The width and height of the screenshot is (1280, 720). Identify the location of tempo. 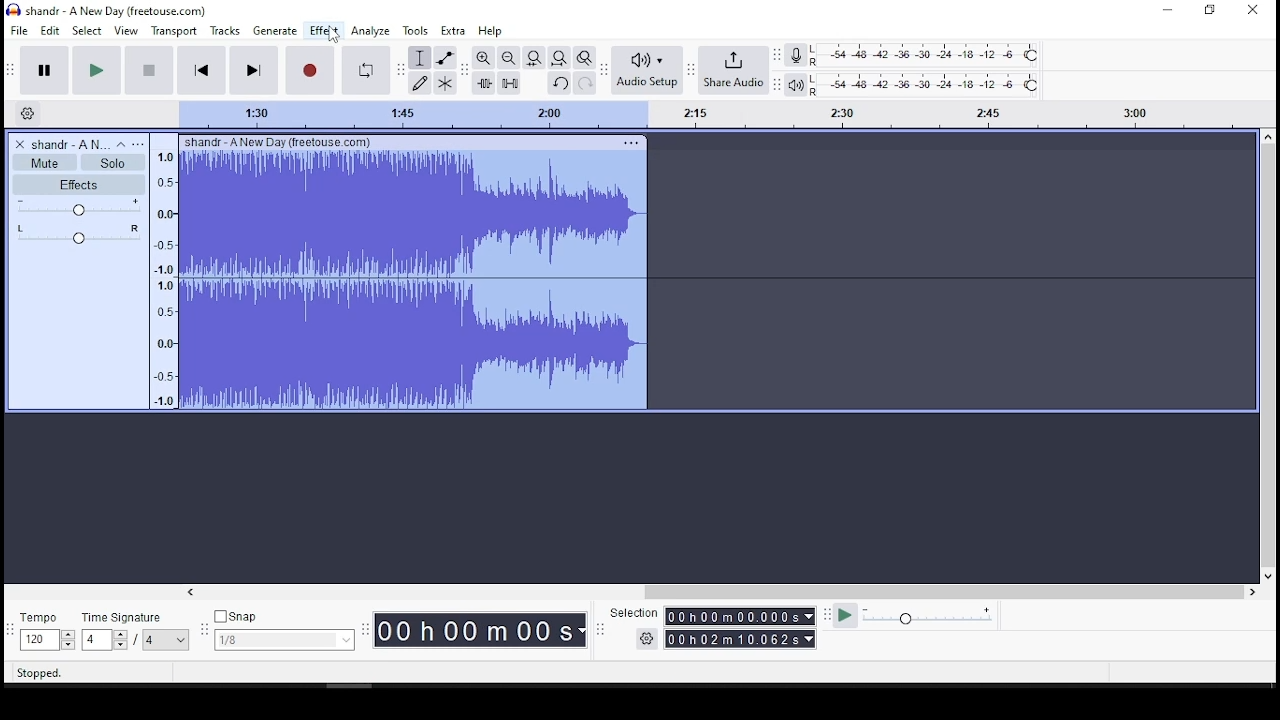
(46, 630).